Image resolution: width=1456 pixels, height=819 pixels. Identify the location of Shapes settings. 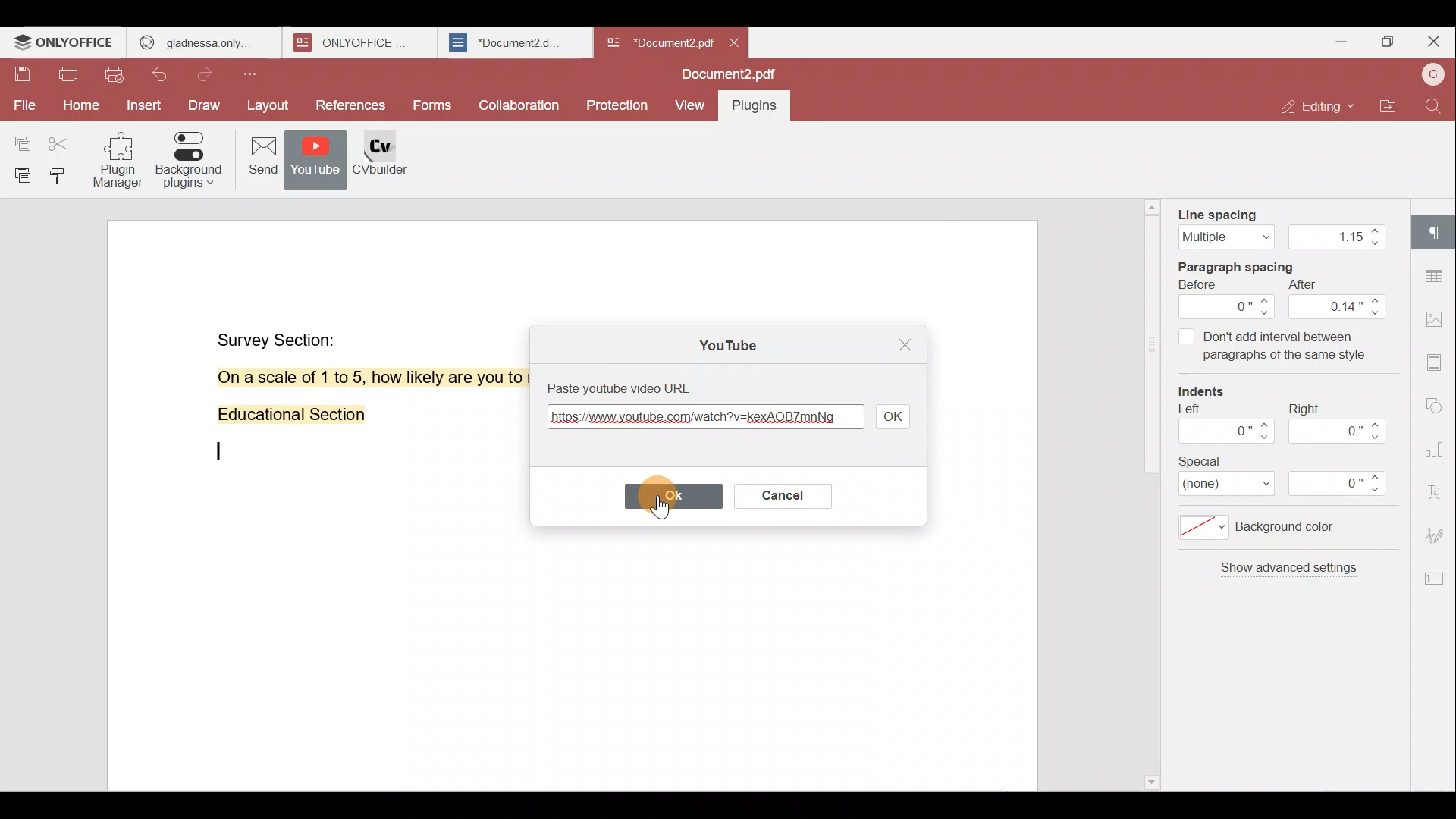
(1436, 402).